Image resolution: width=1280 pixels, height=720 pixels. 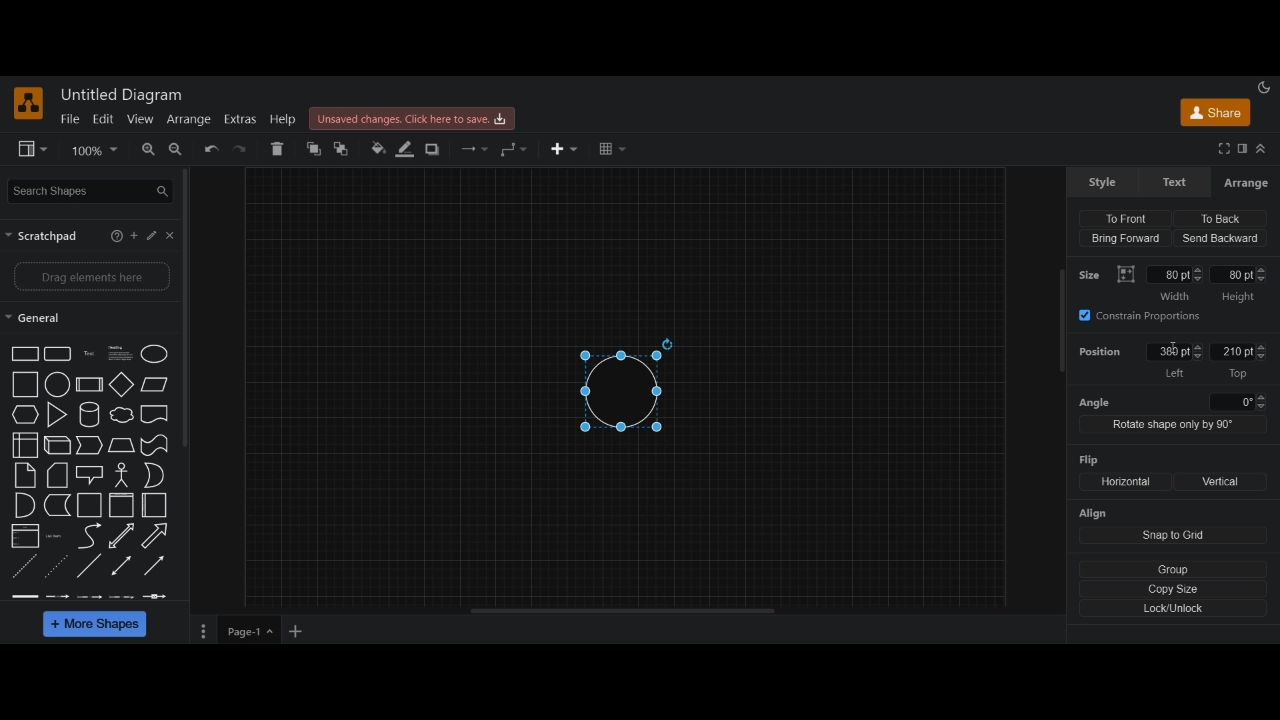 What do you see at coordinates (156, 354) in the screenshot?
I see `Circle` at bounding box center [156, 354].